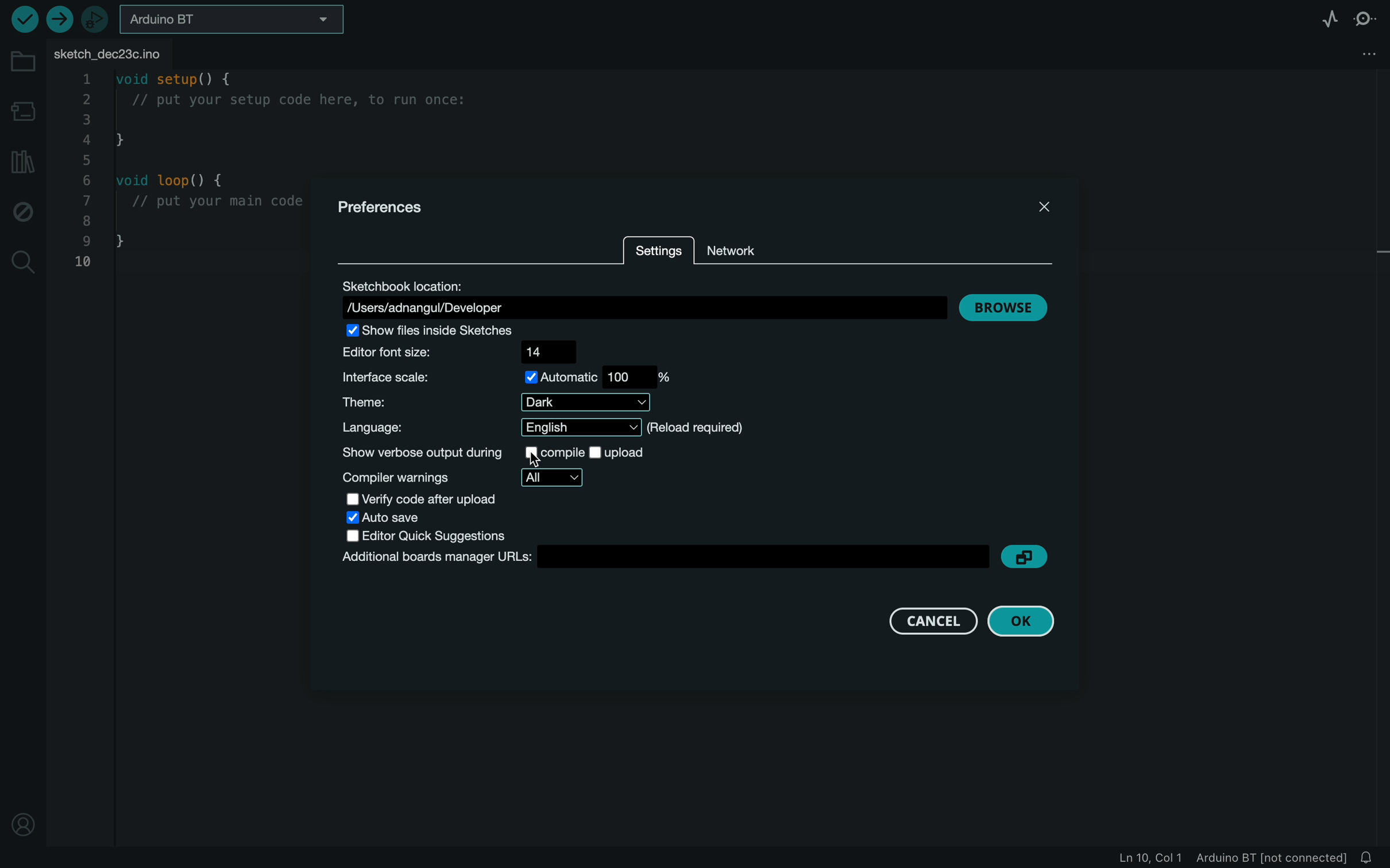  Describe the element at coordinates (116, 52) in the screenshot. I see `file tab` at that location.